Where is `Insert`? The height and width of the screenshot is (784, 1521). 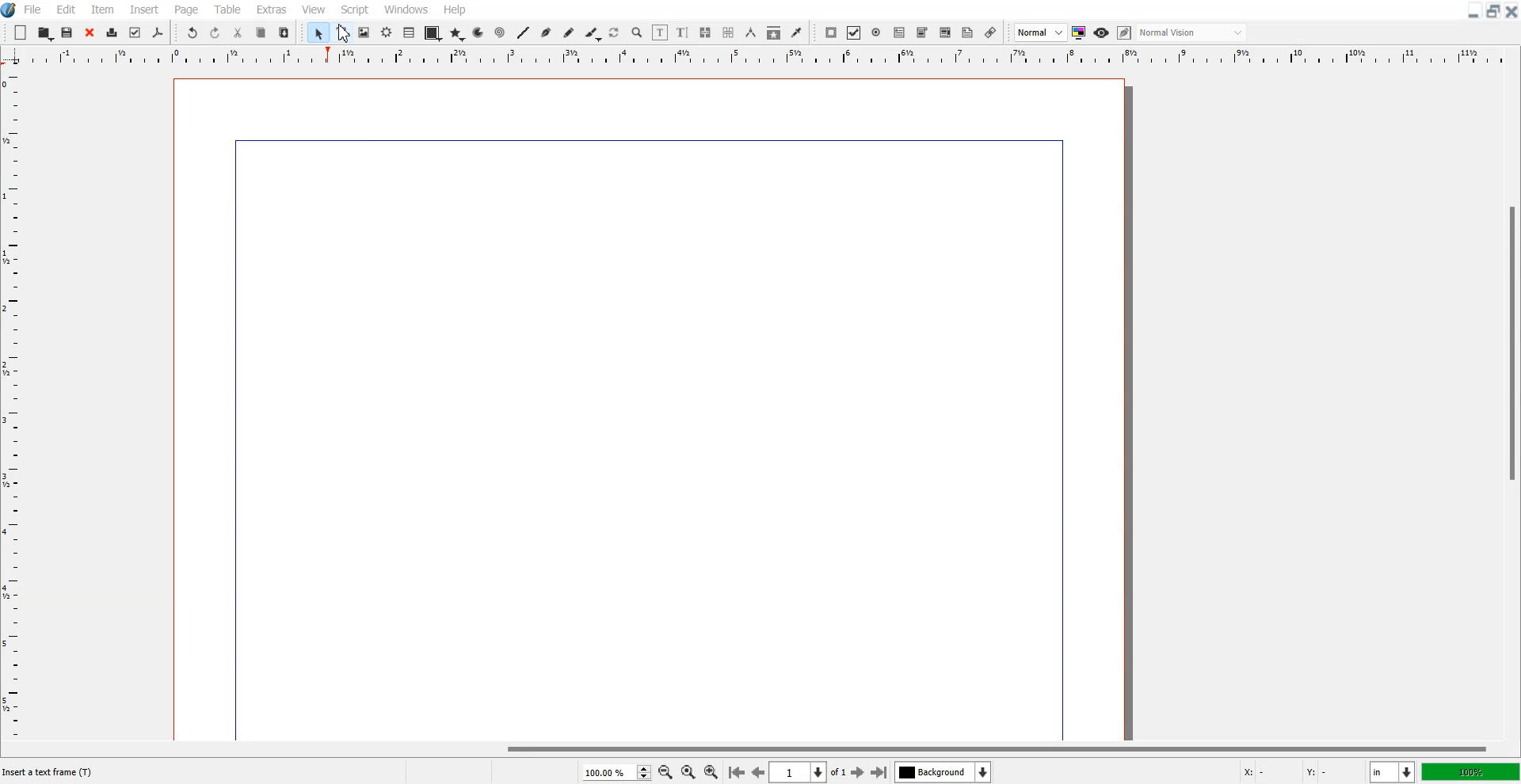 Insert is located at coordinates (143, 10).